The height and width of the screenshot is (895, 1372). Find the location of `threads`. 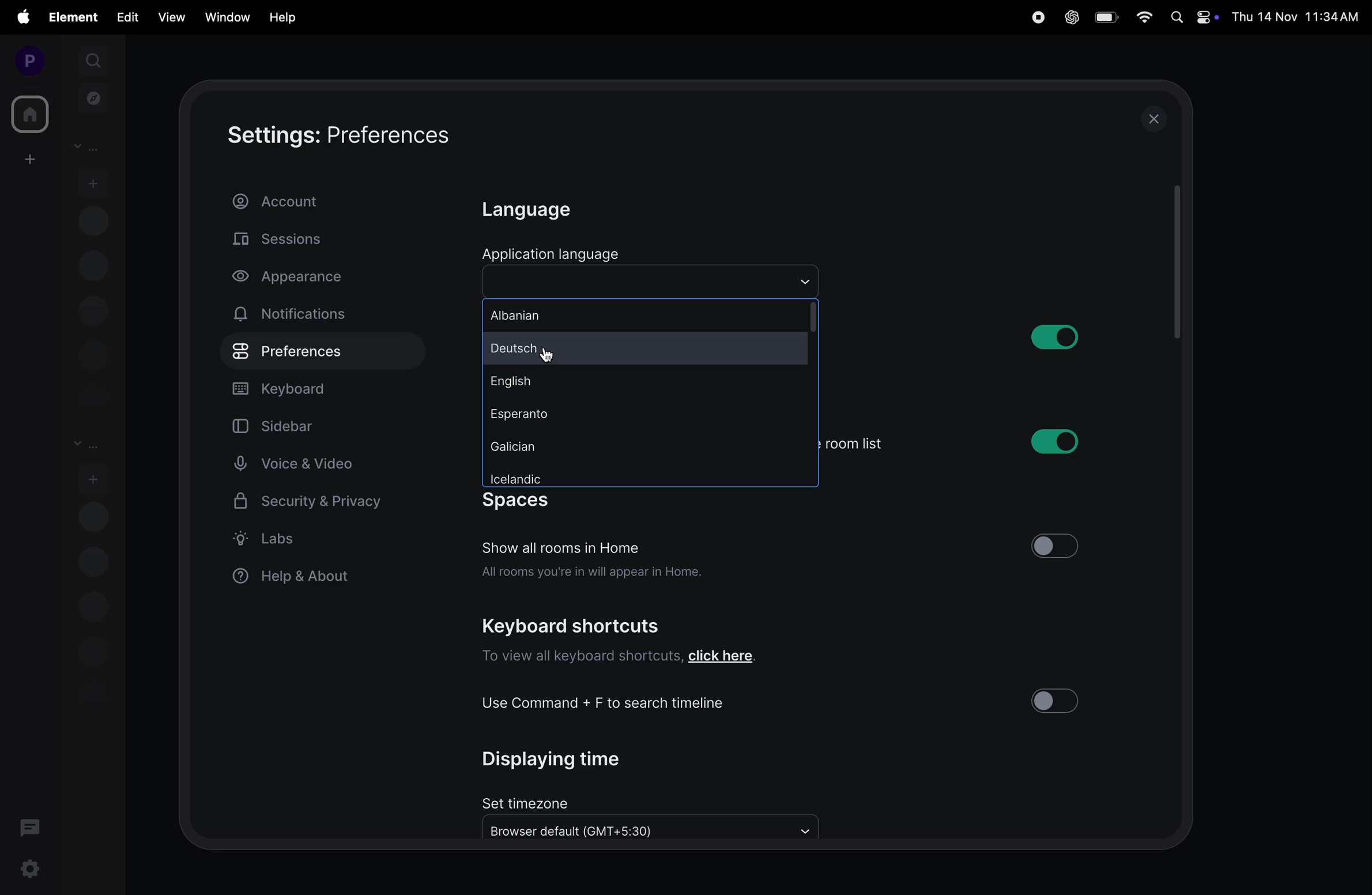

threads is located at coordinates (31, 825).